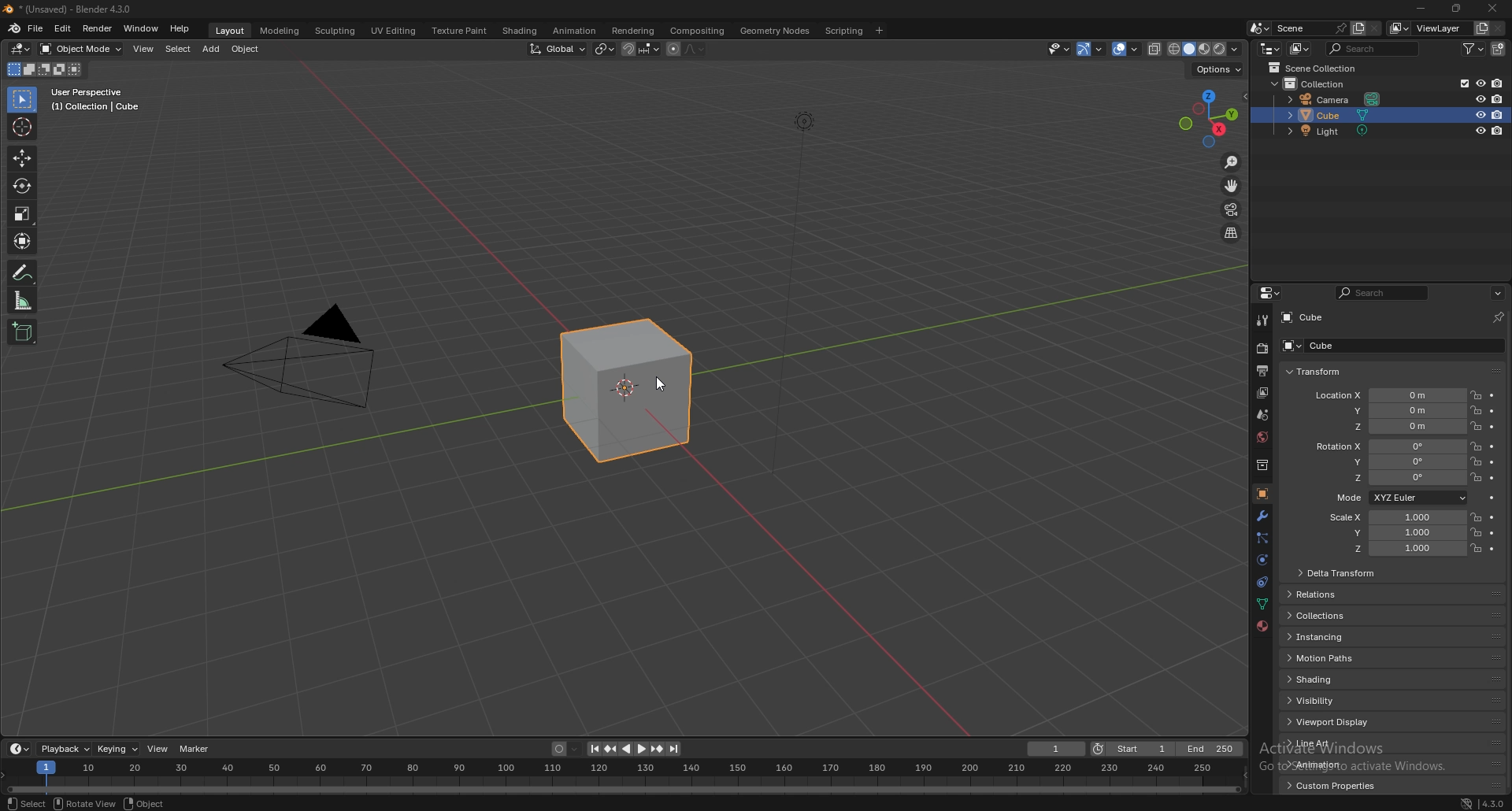 Image resolution: width=1512 pixels, height=811 pixels. What do you see at coordinates (626, 389) in the screenshot?
I see `cube` at bounding box center [626, 389].